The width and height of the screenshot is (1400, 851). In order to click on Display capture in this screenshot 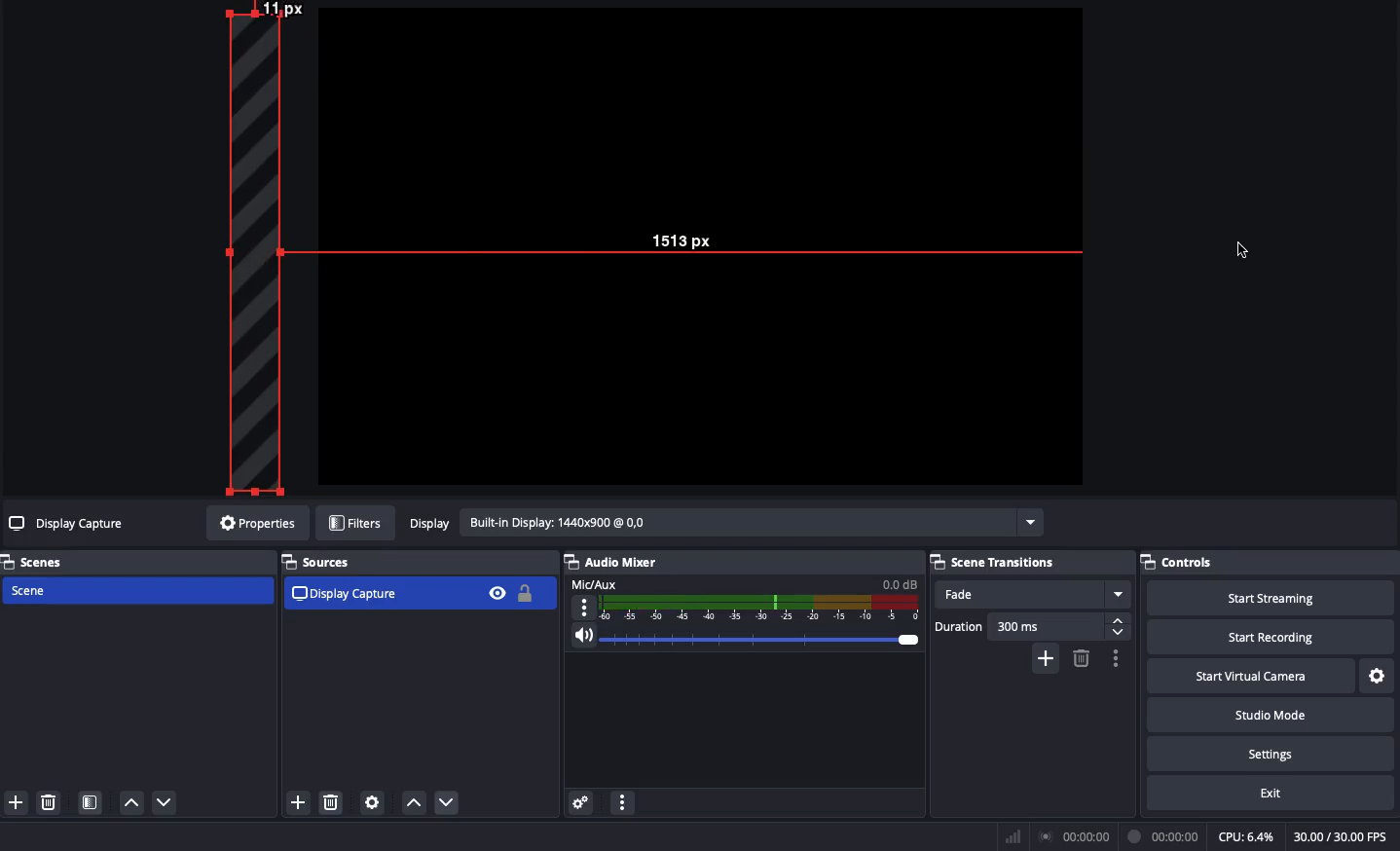, I will do `click(69, 526)`.